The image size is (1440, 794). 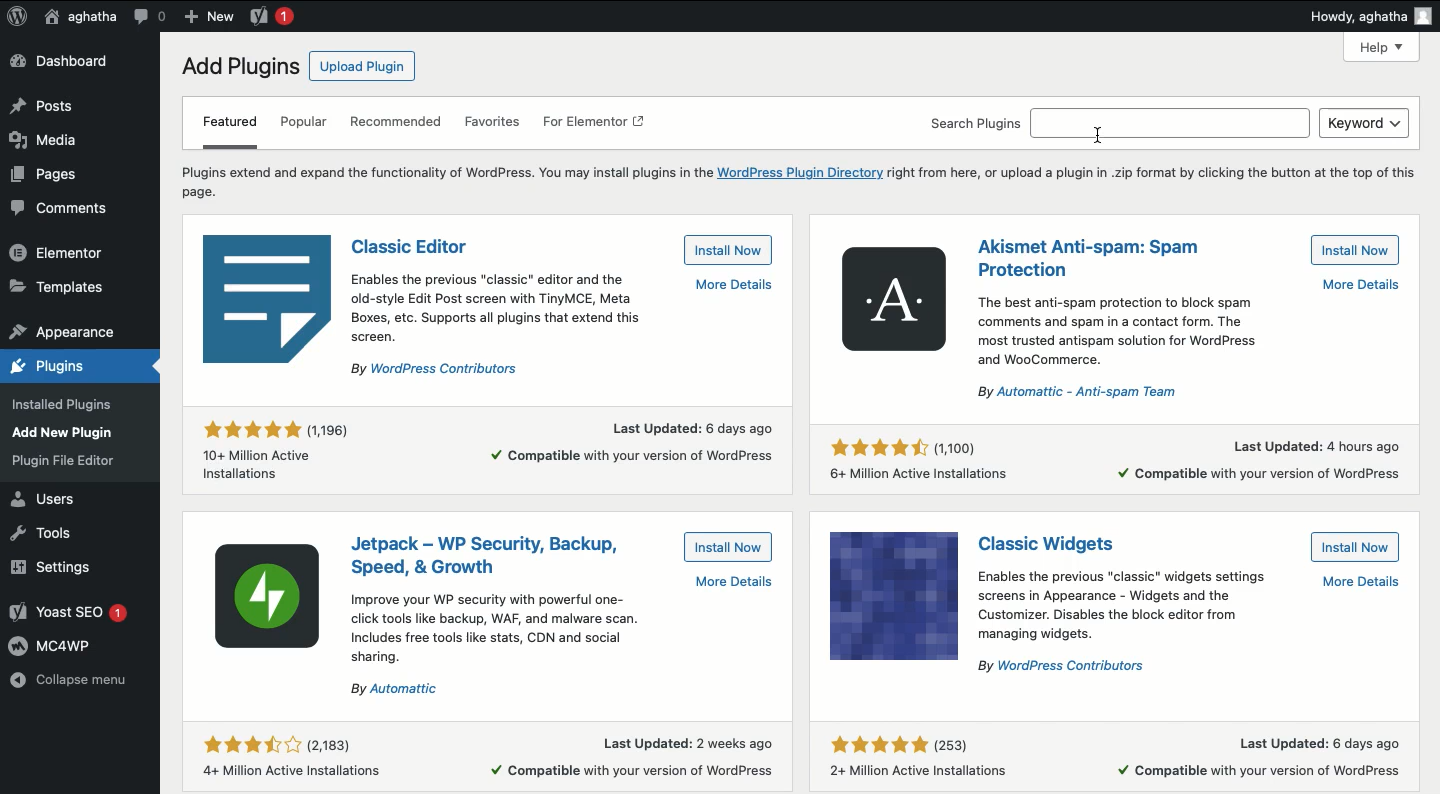 I want to click on plugins, so click(x=70, y=367).